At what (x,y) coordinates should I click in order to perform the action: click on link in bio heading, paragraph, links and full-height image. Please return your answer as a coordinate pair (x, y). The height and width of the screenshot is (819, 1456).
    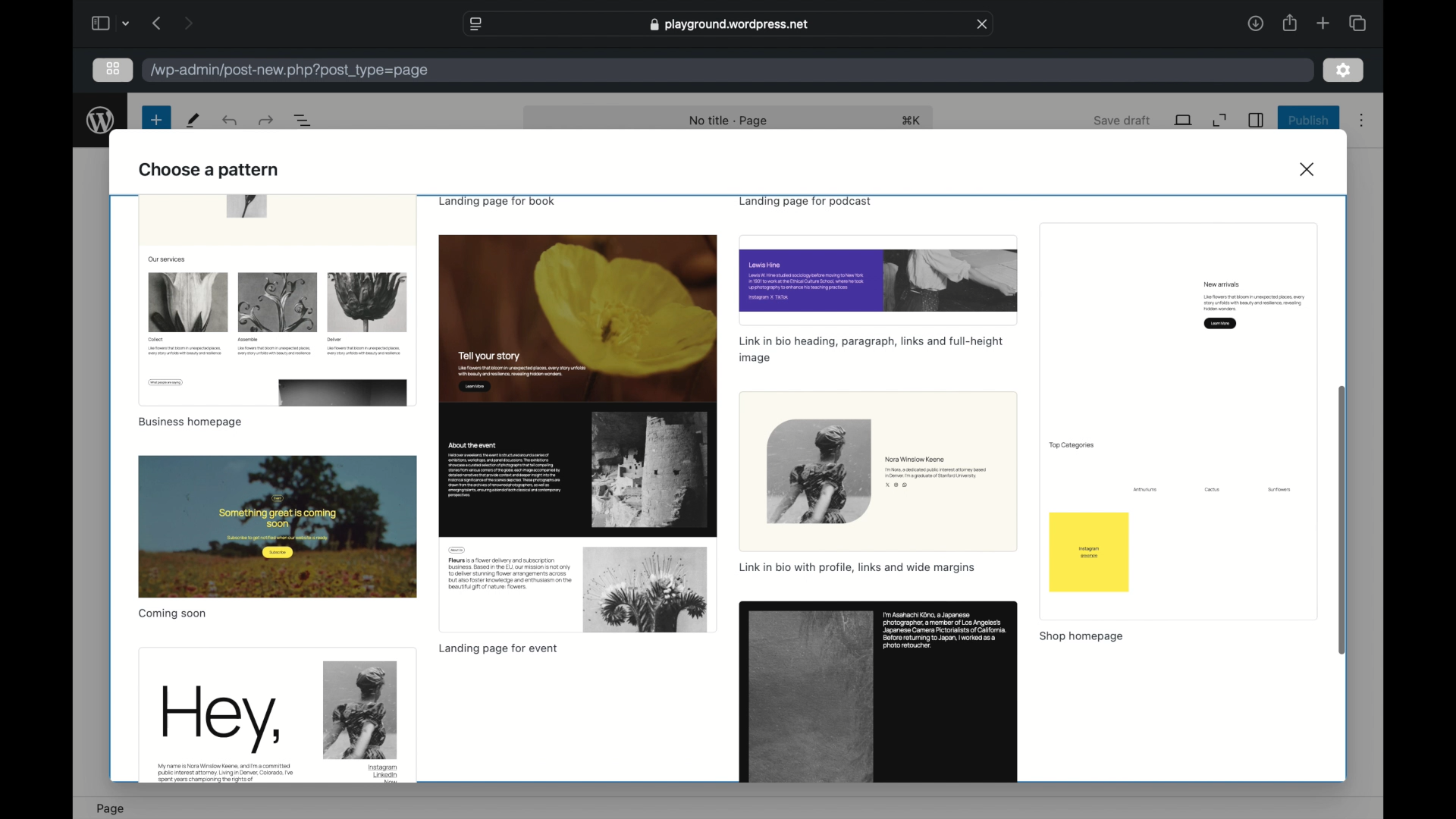
    Looking at the image, I should click on (872, 350).